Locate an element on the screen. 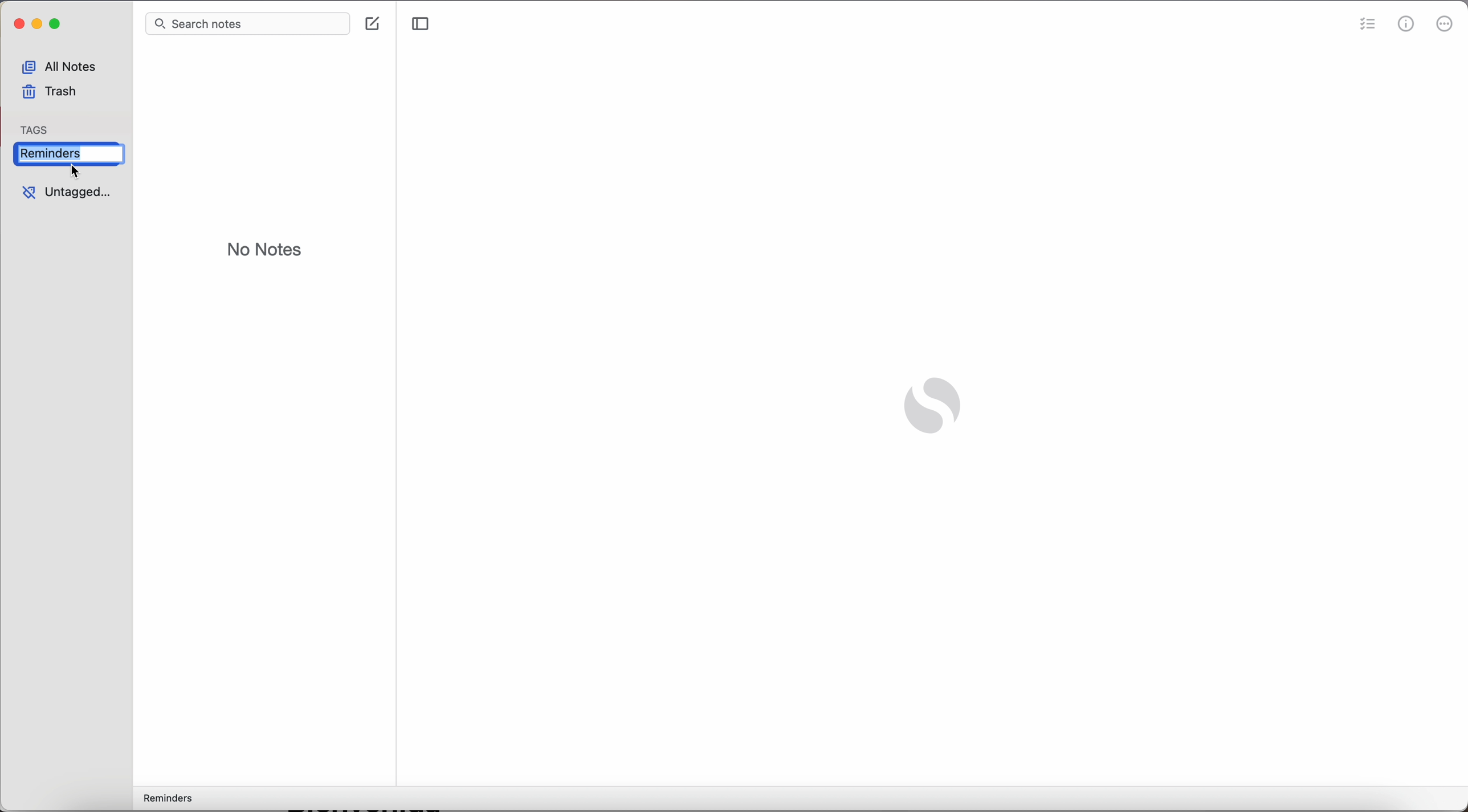  Simplenote logo is located at coordinates (930, 408).